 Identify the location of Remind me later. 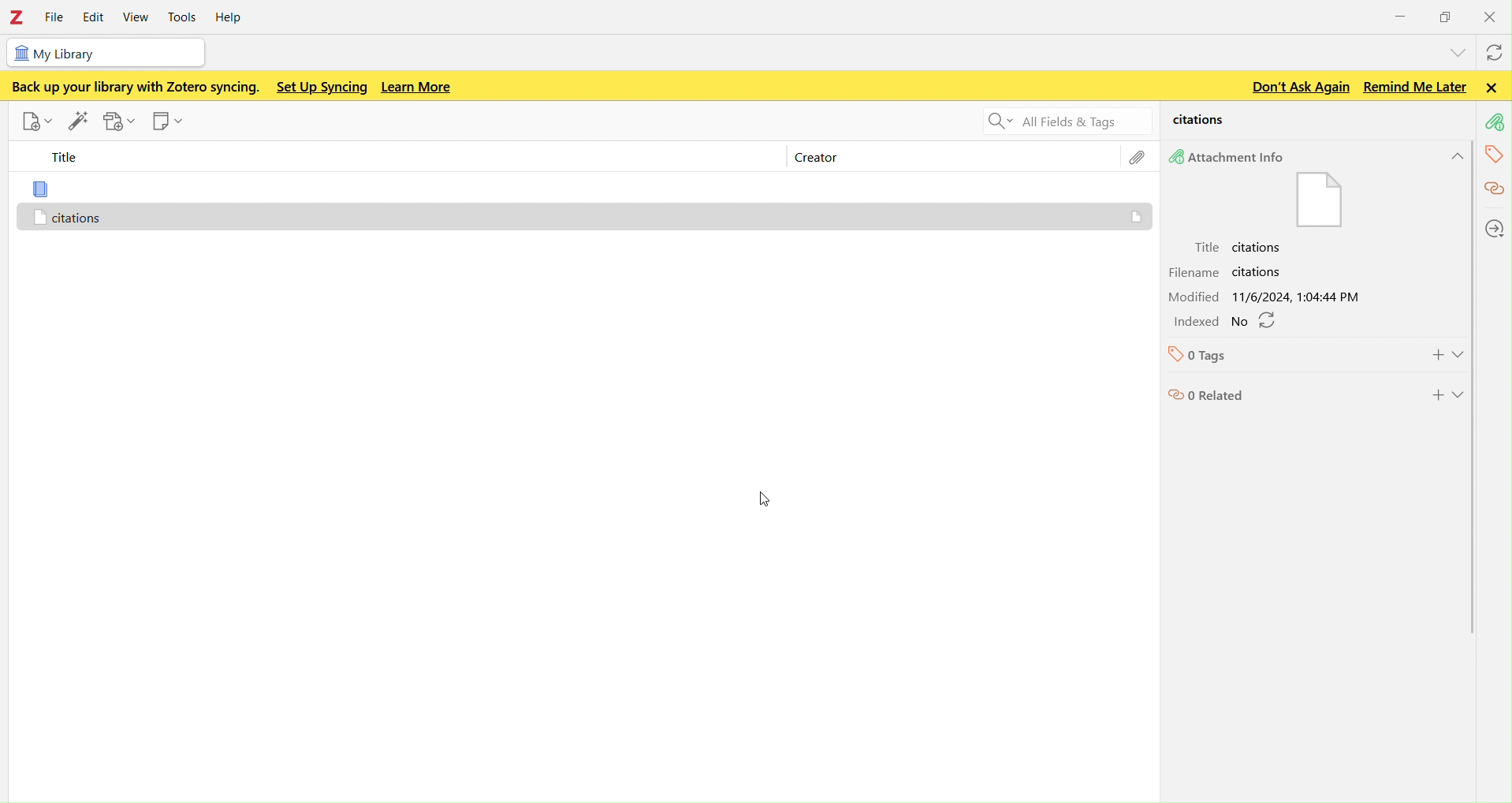
(1415, 86).